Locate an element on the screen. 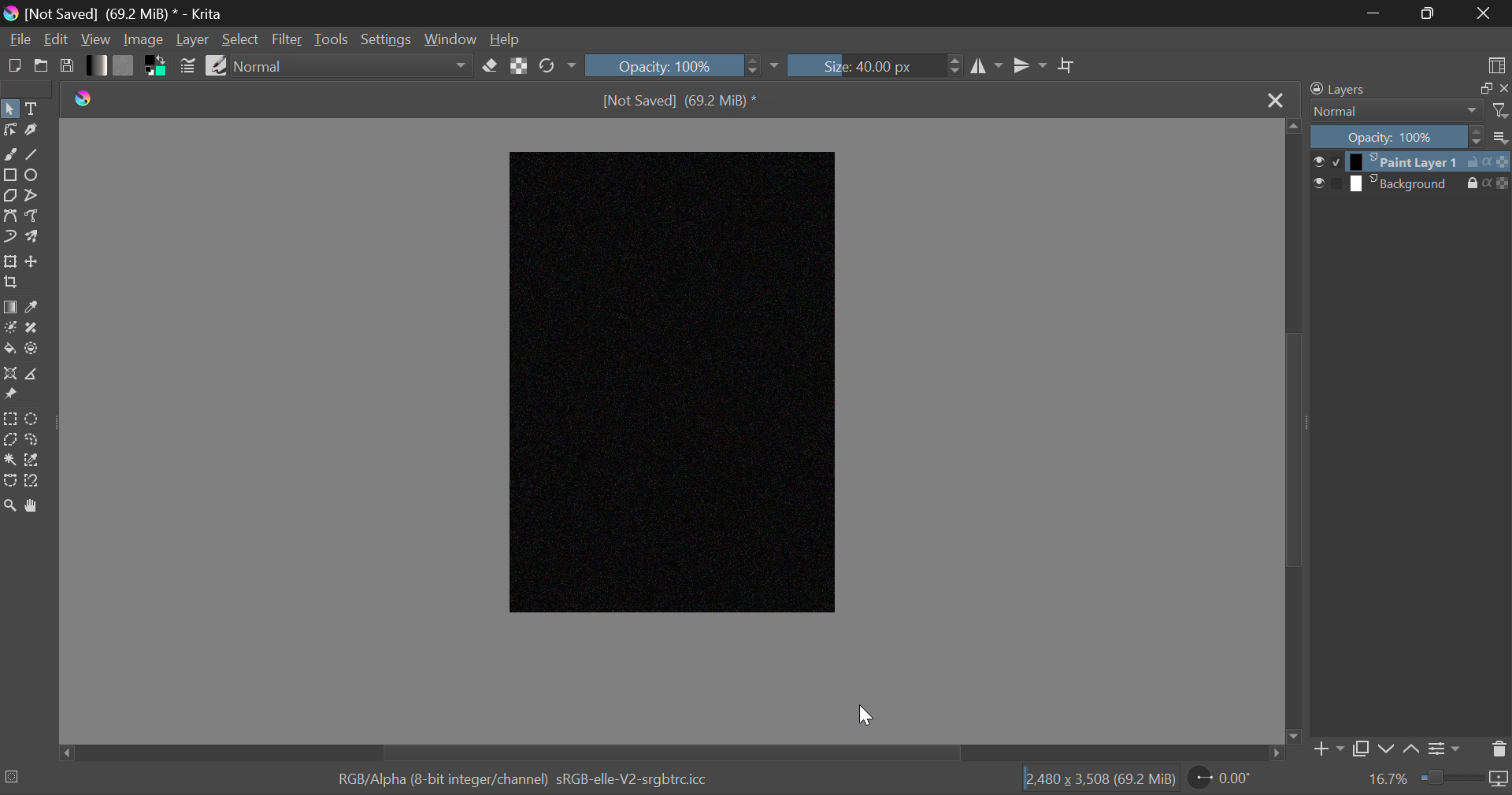 The image size is (1512, 795). Brush Size is located at coordinates (875, 65).